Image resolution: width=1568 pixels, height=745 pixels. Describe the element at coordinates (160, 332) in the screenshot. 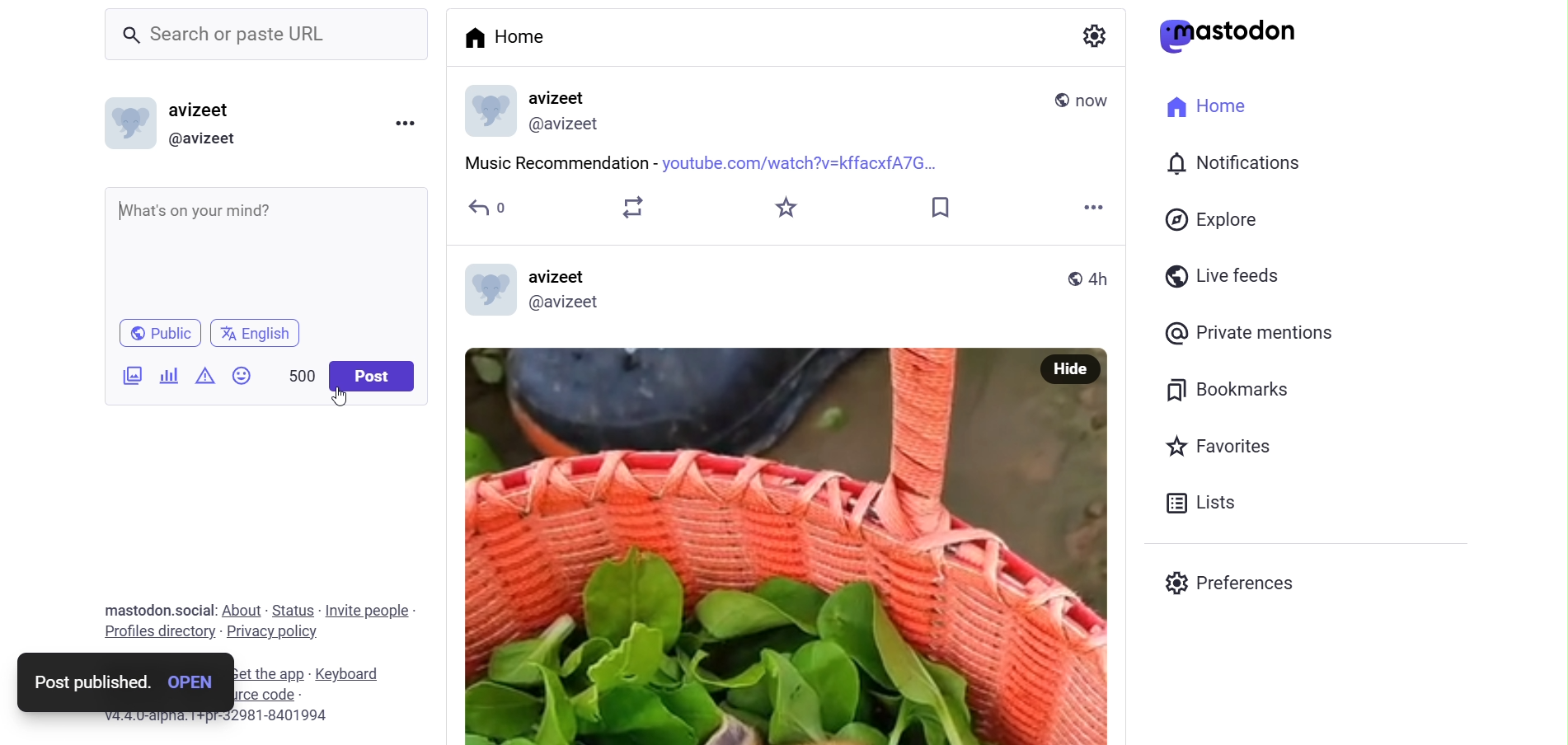

I see `Public` at that location.